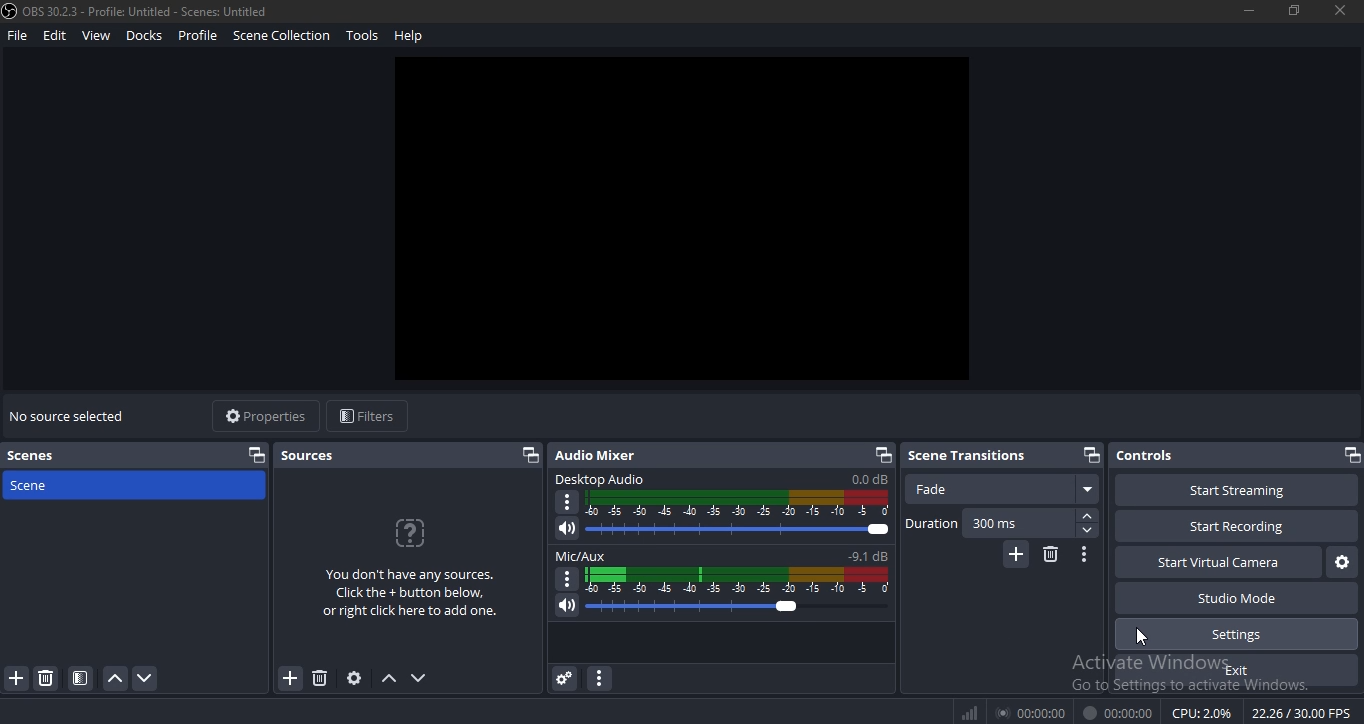 The height and width of the screenshot is (724, 1364). Describe the element at coordinates (741, 580) in the screenshot. I see `display` at that location.